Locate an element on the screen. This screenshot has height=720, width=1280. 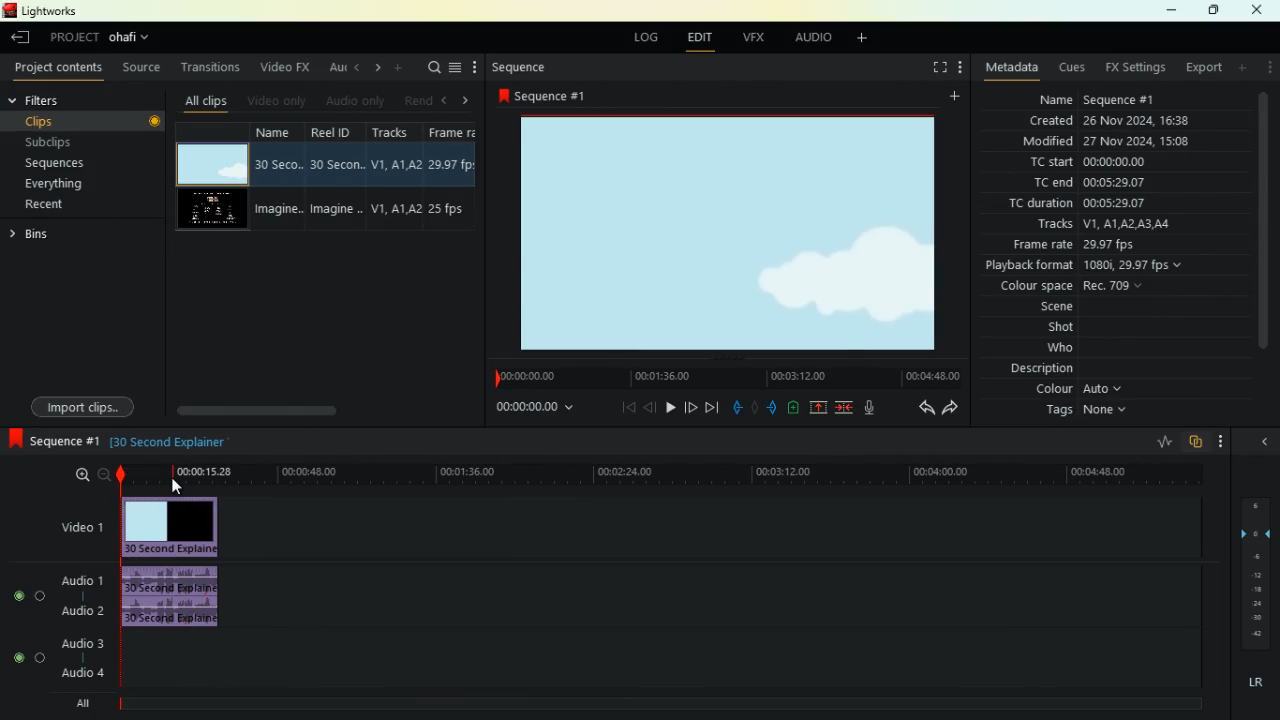
menu is located at coordinates (1266, 68).